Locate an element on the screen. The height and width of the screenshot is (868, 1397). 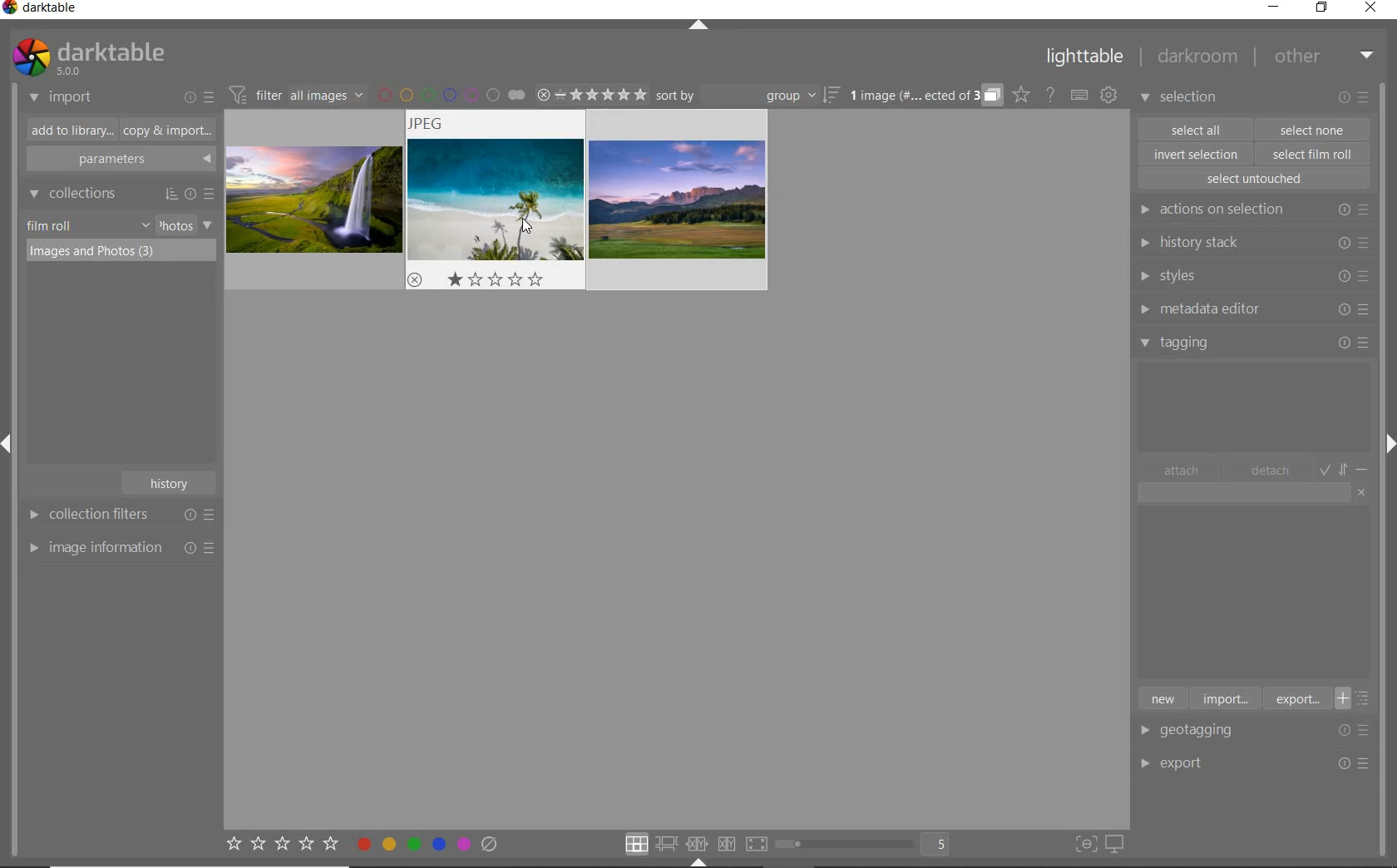
expand/collapse is located at coordinates (698, 27).